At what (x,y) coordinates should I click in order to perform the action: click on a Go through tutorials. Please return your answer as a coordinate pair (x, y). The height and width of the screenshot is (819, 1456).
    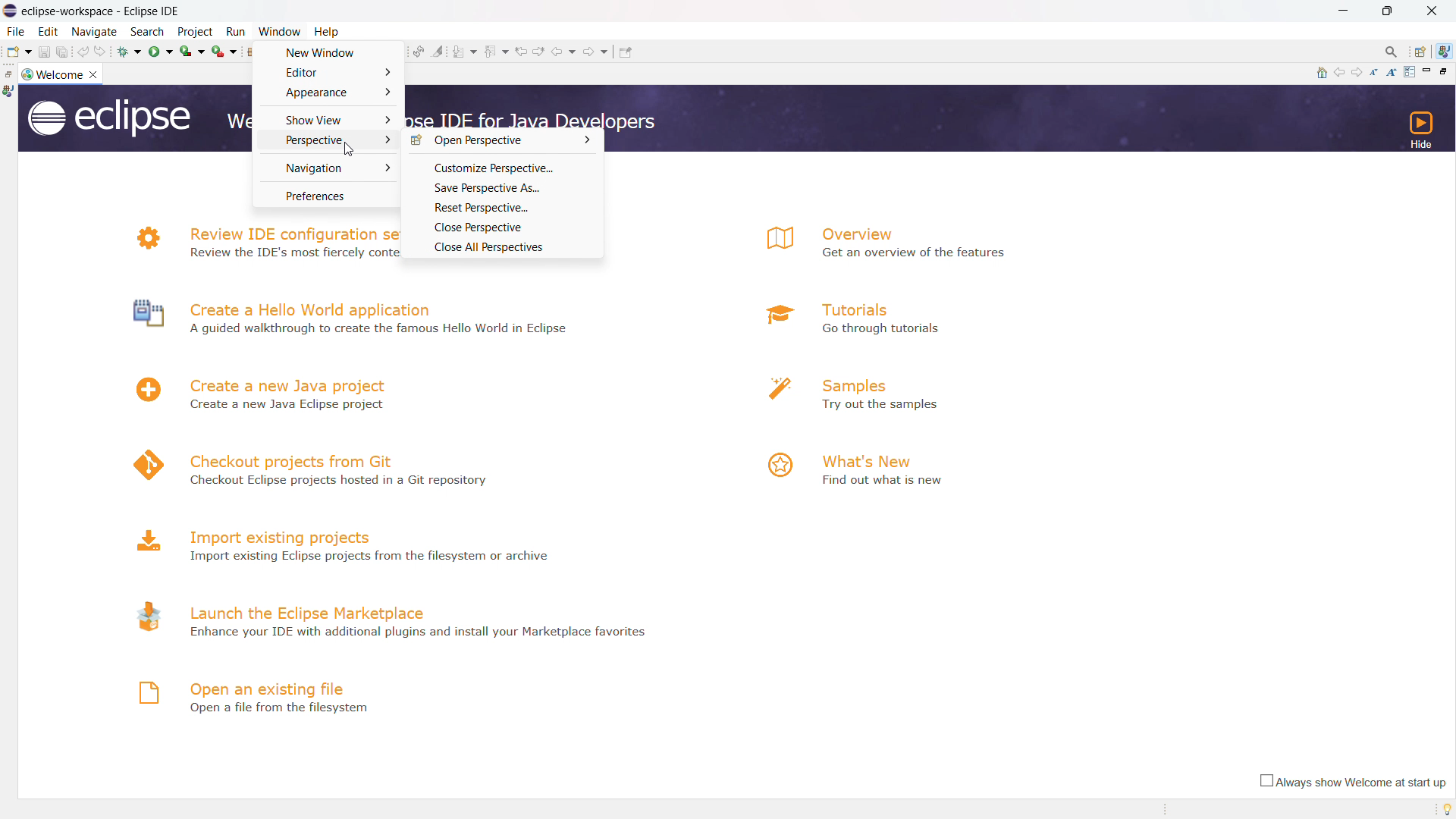
    Looking at the image, I should click on (896, 328).